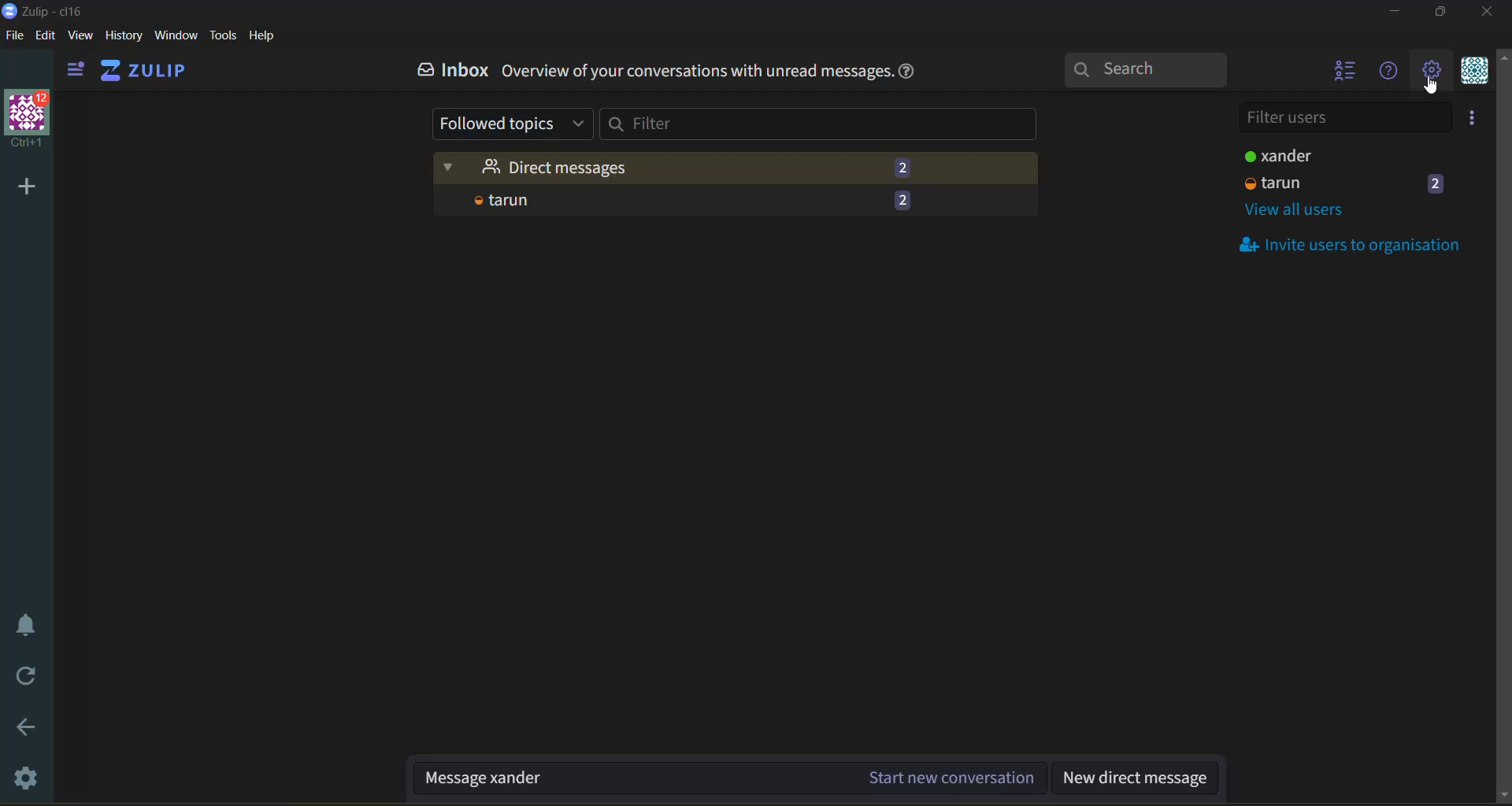  What do you see at coordinates (1437, 14) in the screenshot?
I see `maximize` at bounding box center [1437, 14].